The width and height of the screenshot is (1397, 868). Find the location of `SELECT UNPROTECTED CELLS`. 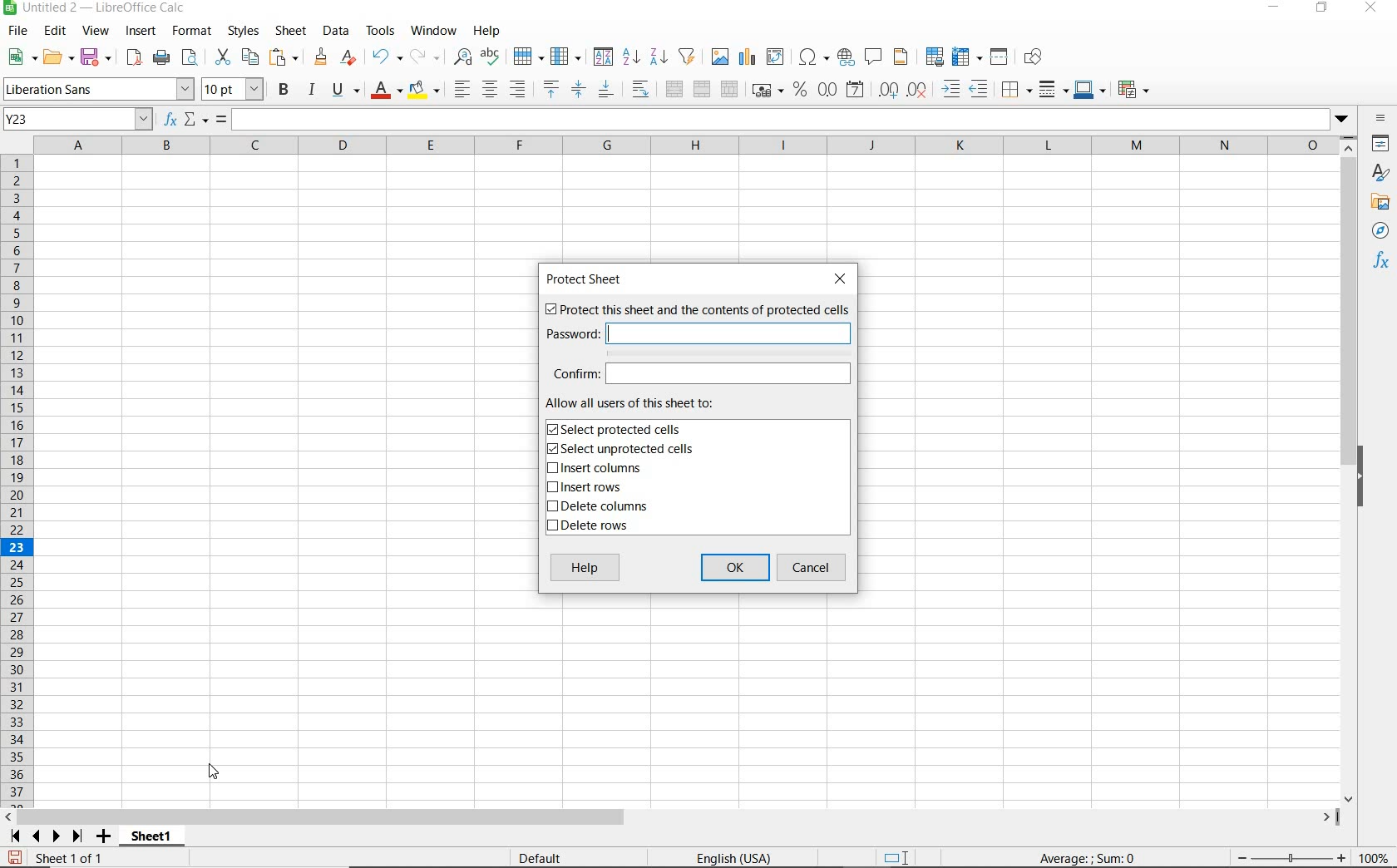

SELECT UNPROTECTED CELLS is located at coordinates (623, 450).